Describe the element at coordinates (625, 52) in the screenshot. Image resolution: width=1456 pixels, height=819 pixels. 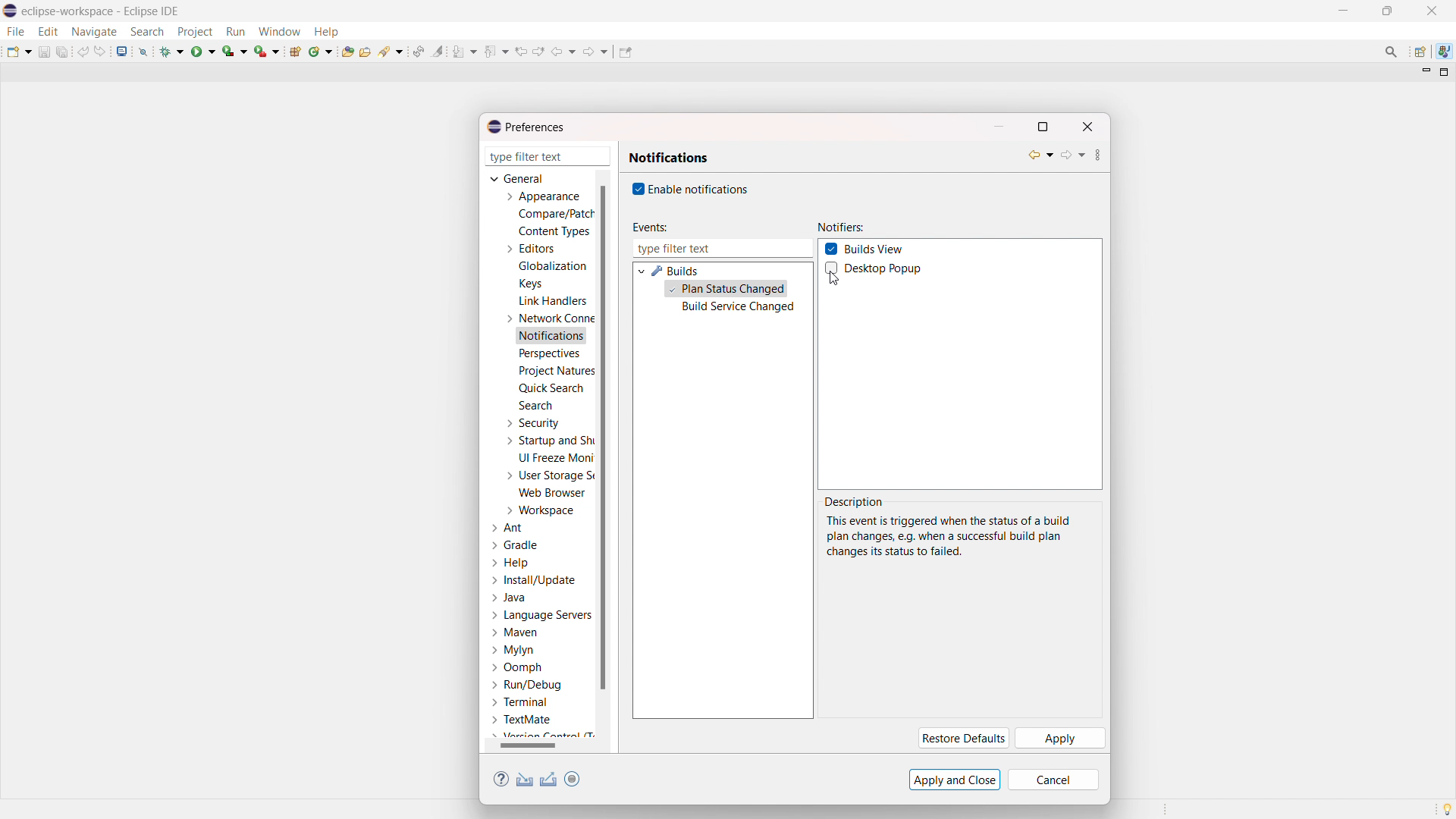
I see `pin editor` at that location.